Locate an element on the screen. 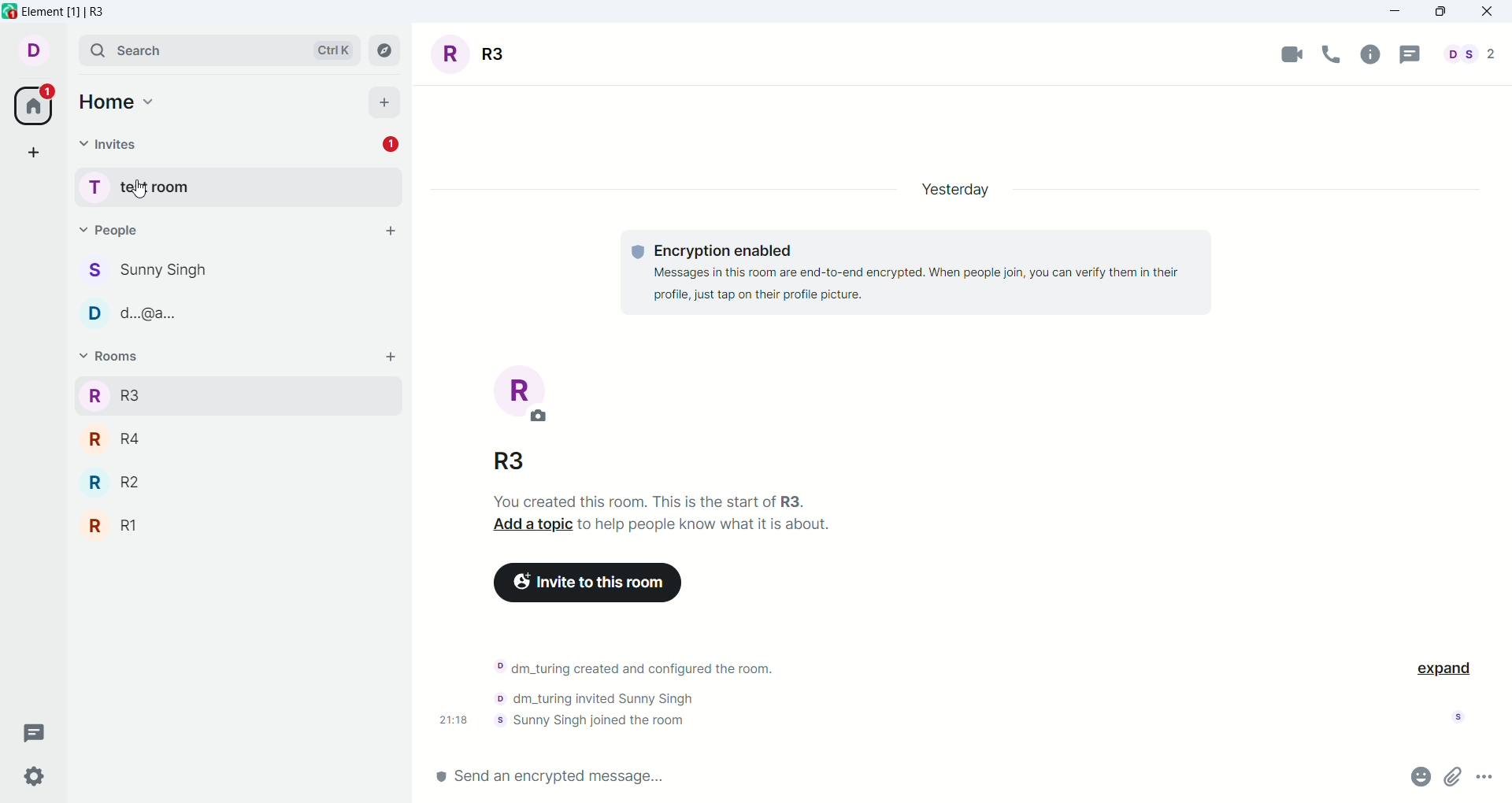  send message is located at coordinates (916, 776).